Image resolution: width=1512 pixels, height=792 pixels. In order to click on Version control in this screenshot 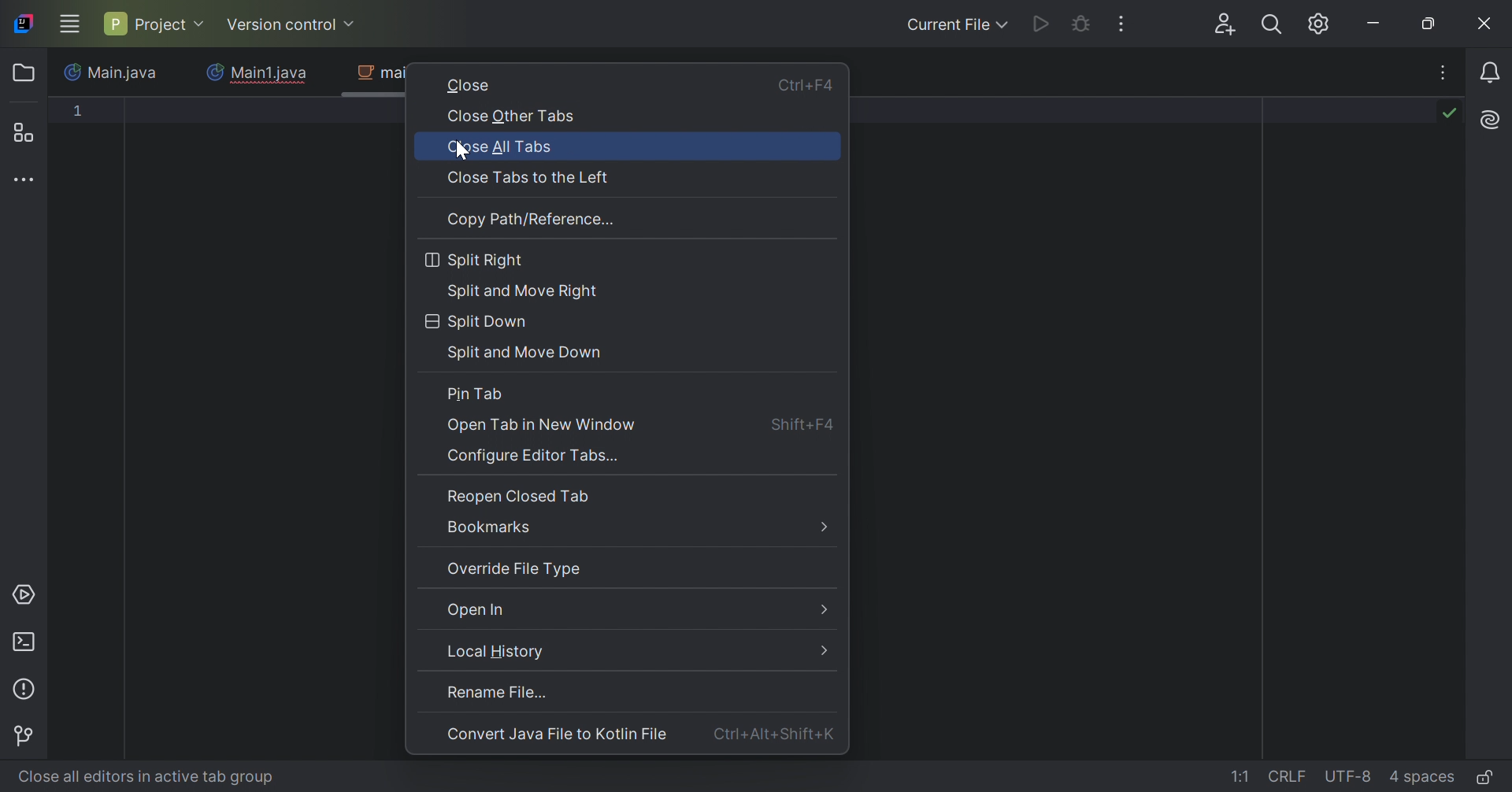, I will do `click(291, 25)`.